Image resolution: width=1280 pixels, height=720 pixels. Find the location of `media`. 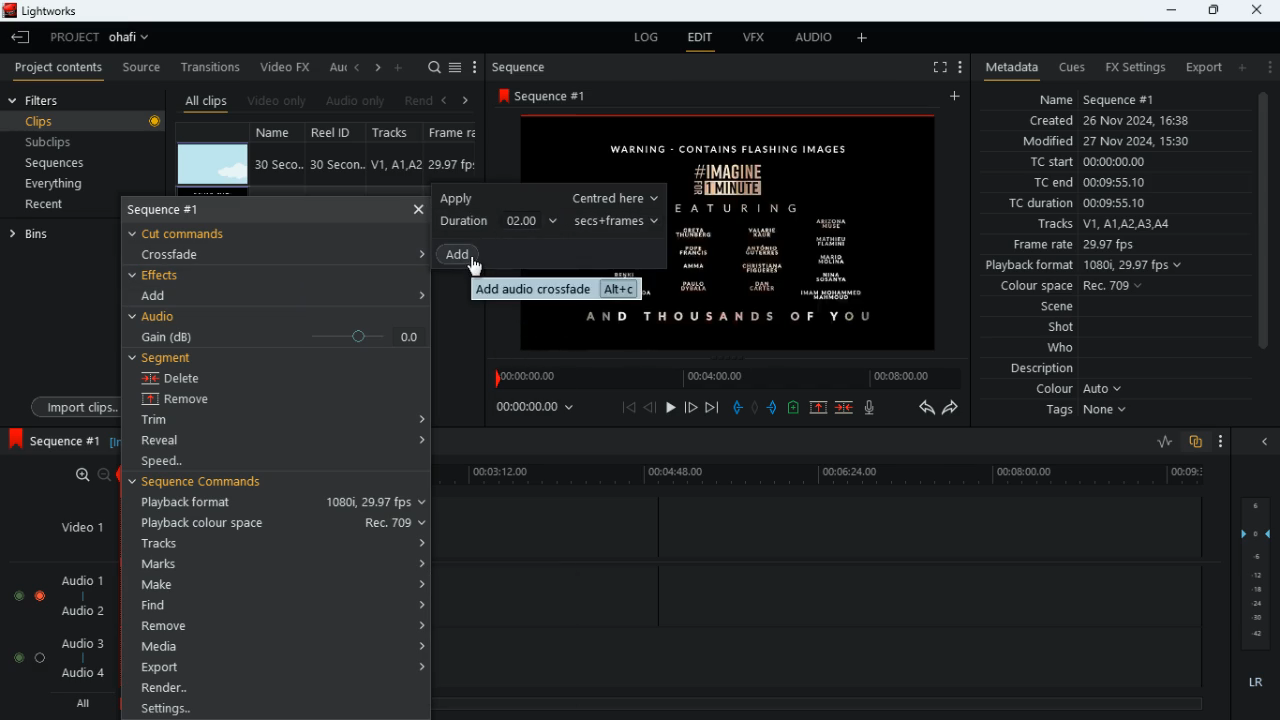

media is located at coordinates (282, 645).